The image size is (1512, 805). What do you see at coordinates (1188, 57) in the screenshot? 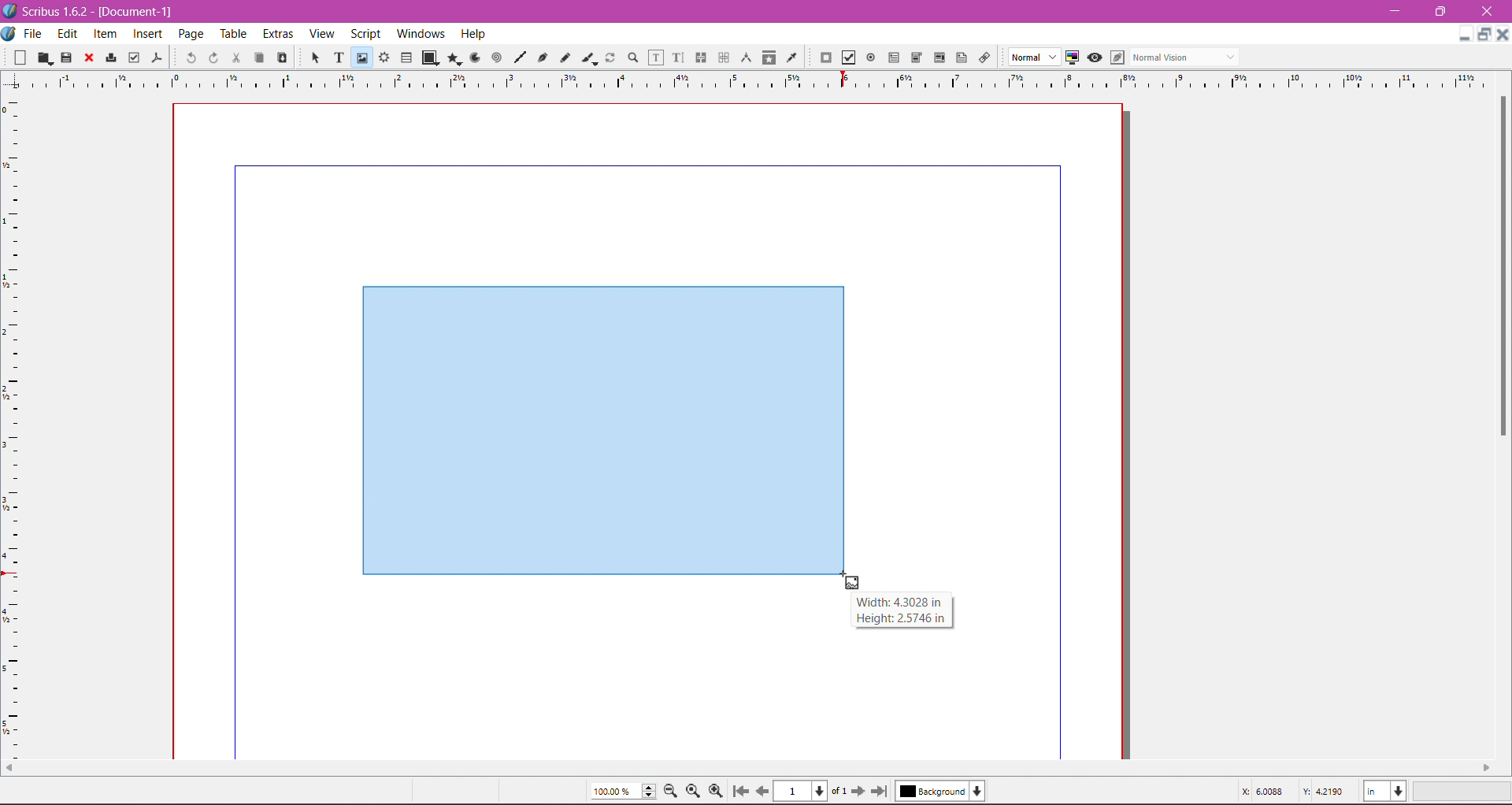
I see `Select visual appearance of the display` at bounding box center [1188, 57].